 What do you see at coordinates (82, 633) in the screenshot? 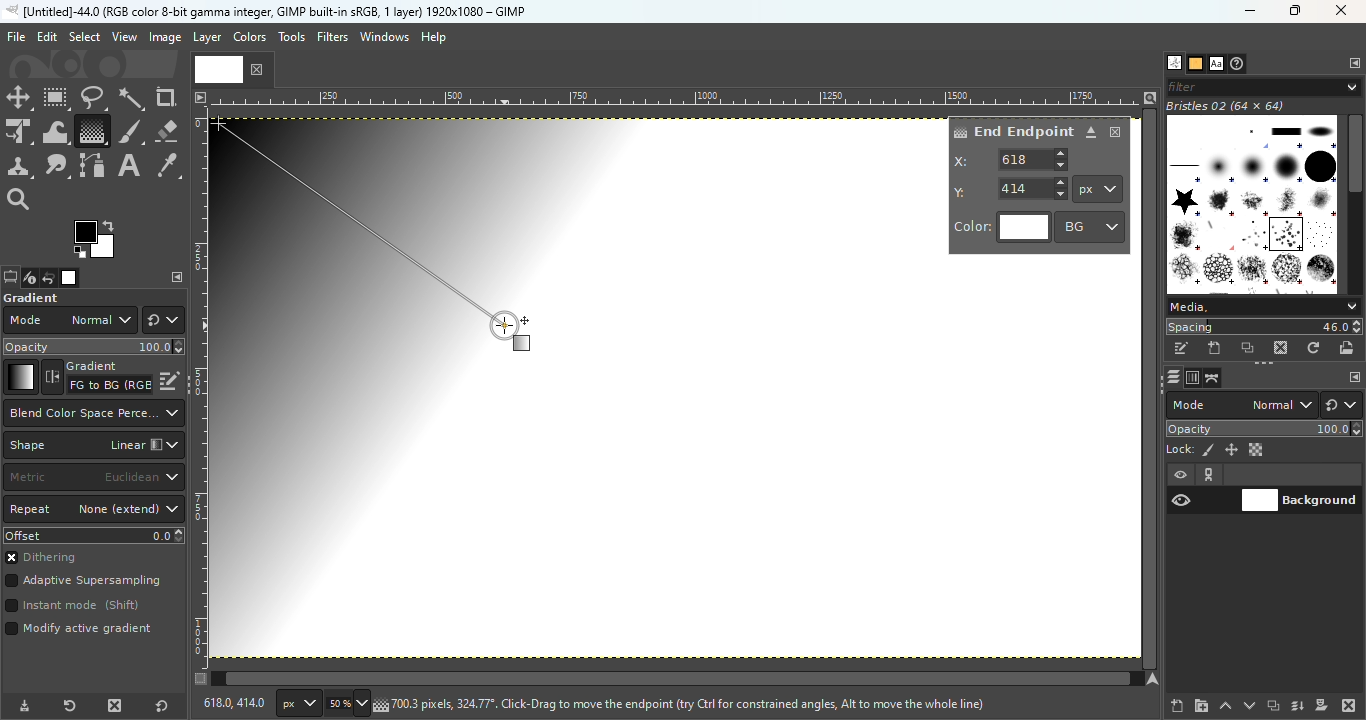
I see `Mode active gradient` at bounding box center [82, 633].